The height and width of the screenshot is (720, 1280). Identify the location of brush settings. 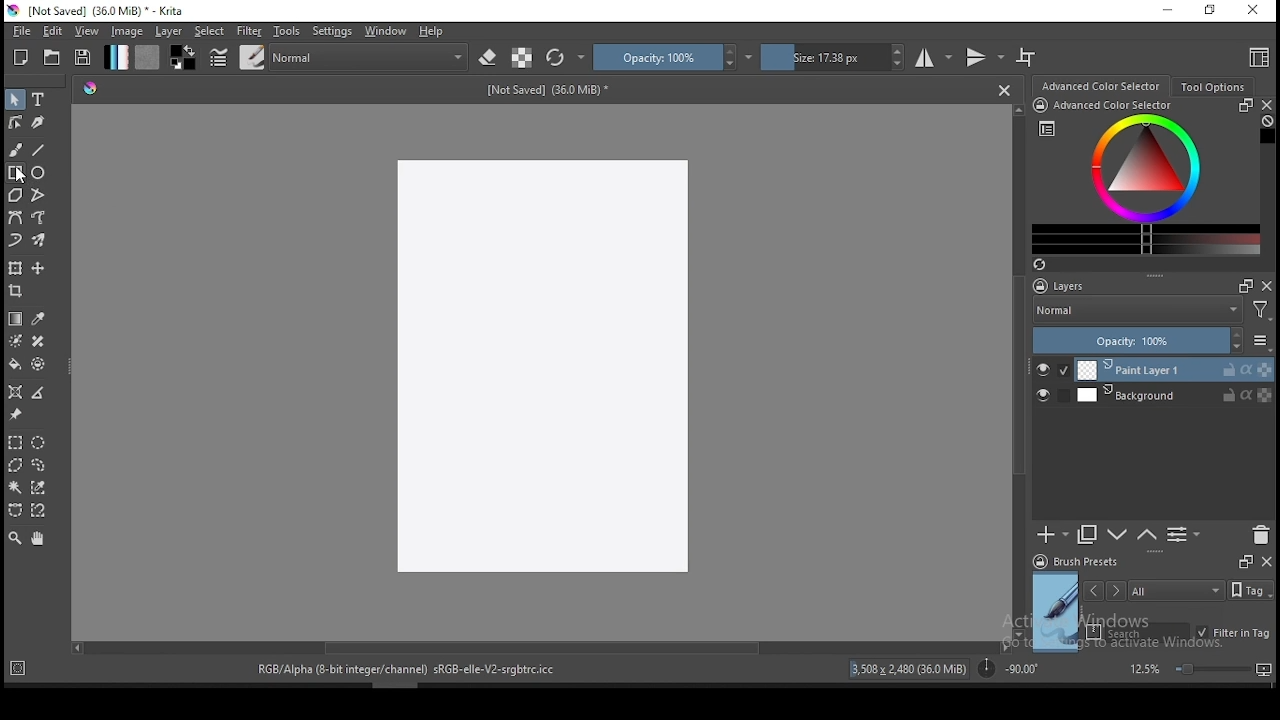
(217, 57).